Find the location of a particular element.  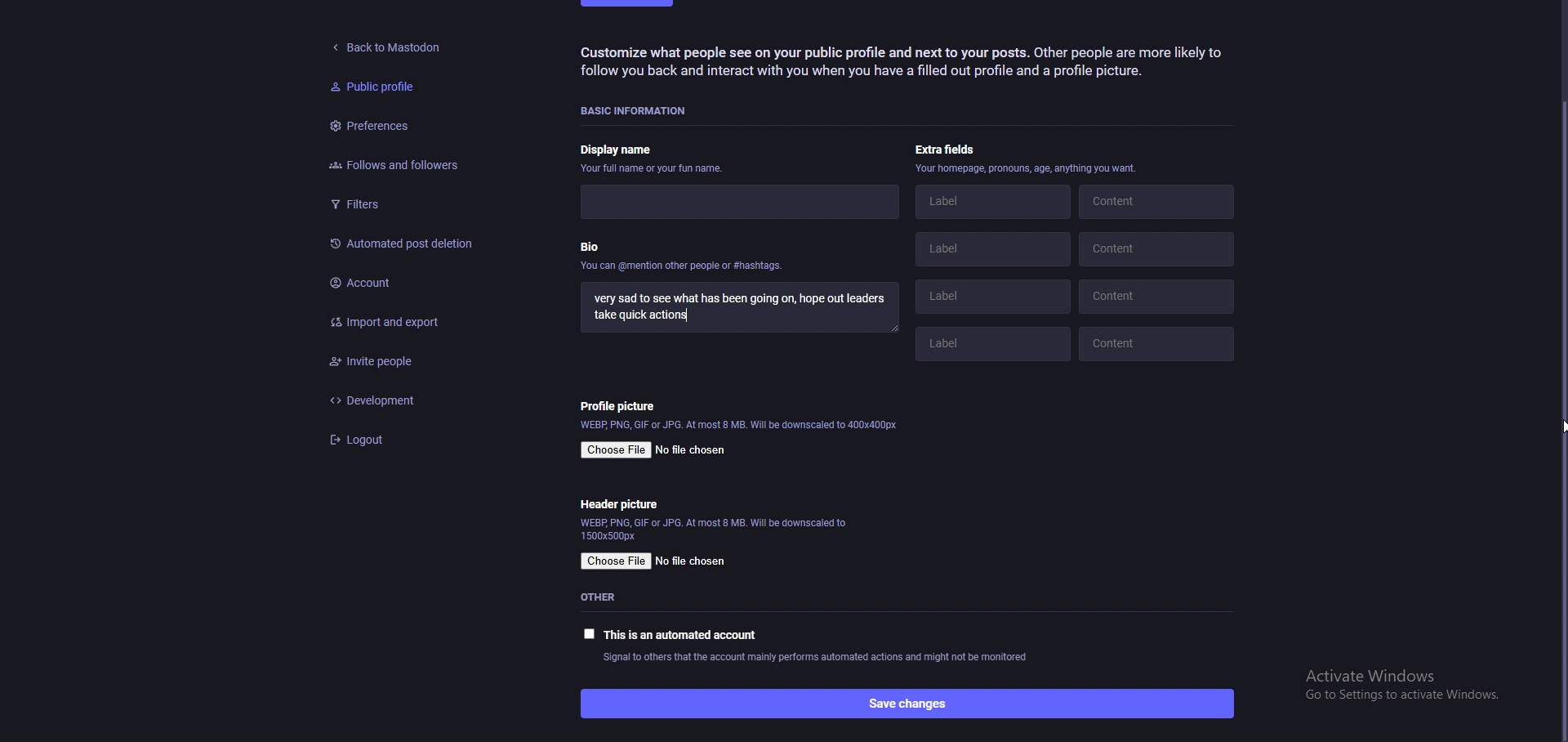

Automated post deletion is located at coordinates (403, 242).